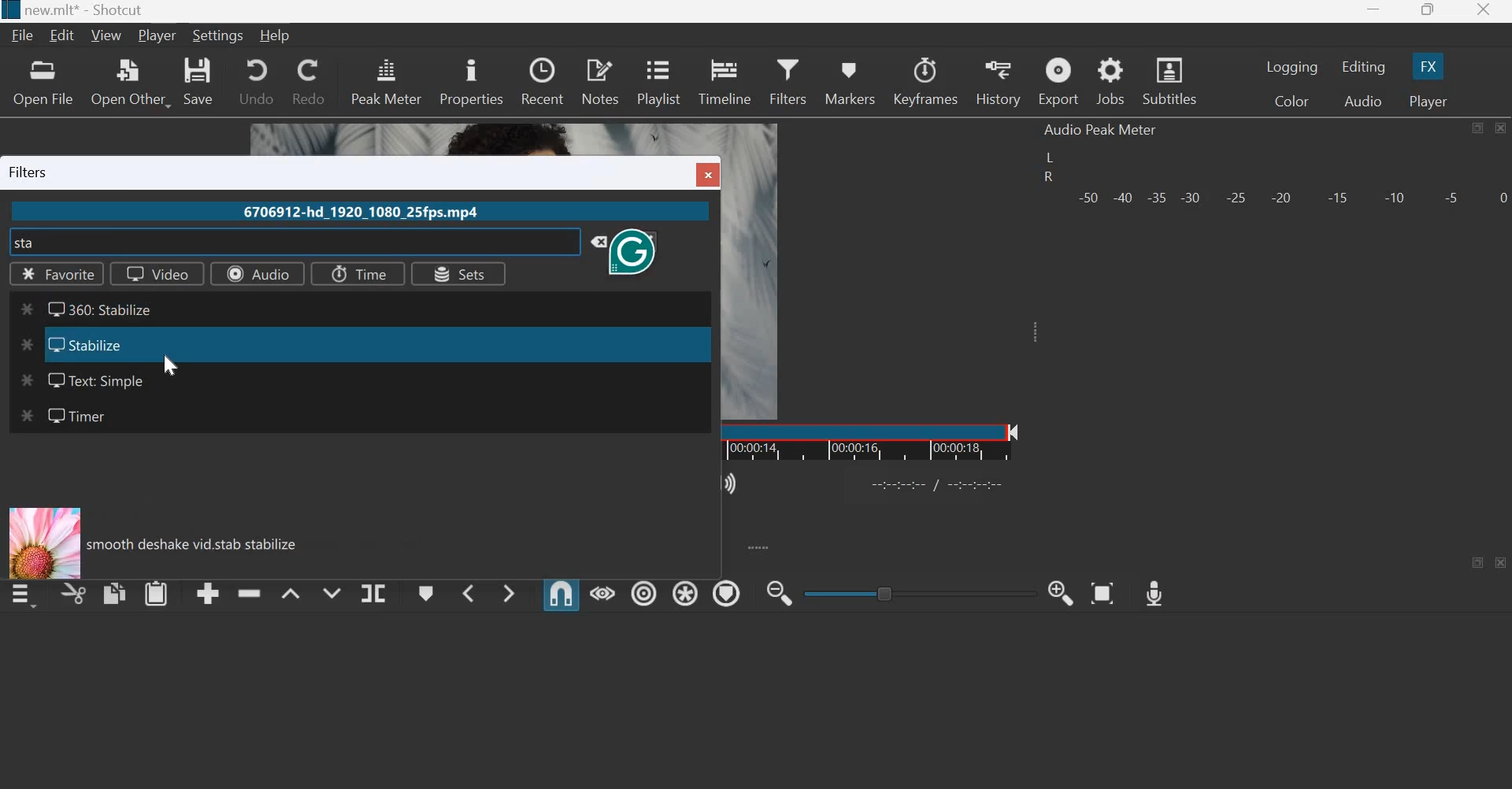 The image size is (1512, 789). I want to click on Zoom Timeline out, so click(781, 593).